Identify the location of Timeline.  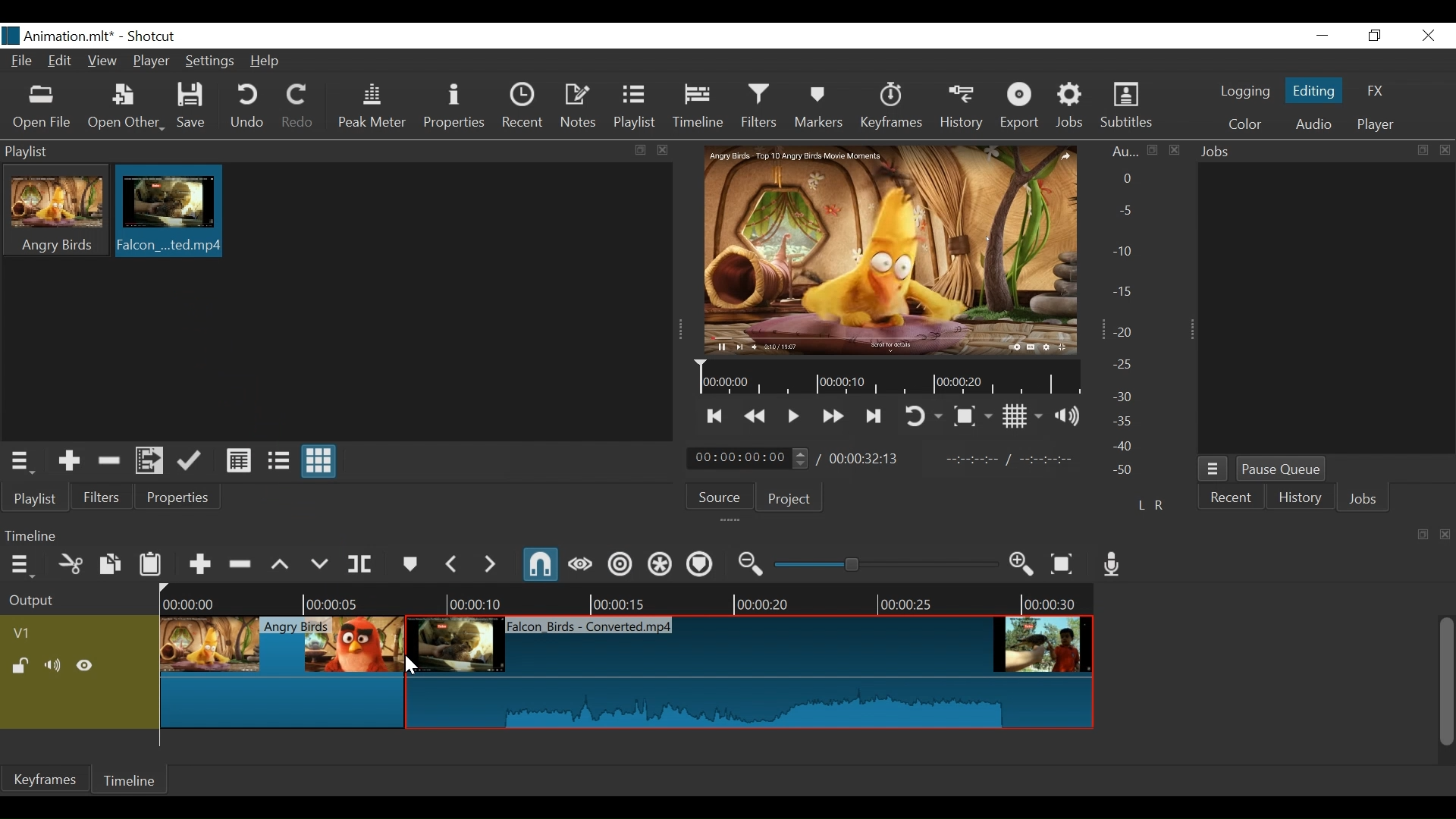
(700, 107).